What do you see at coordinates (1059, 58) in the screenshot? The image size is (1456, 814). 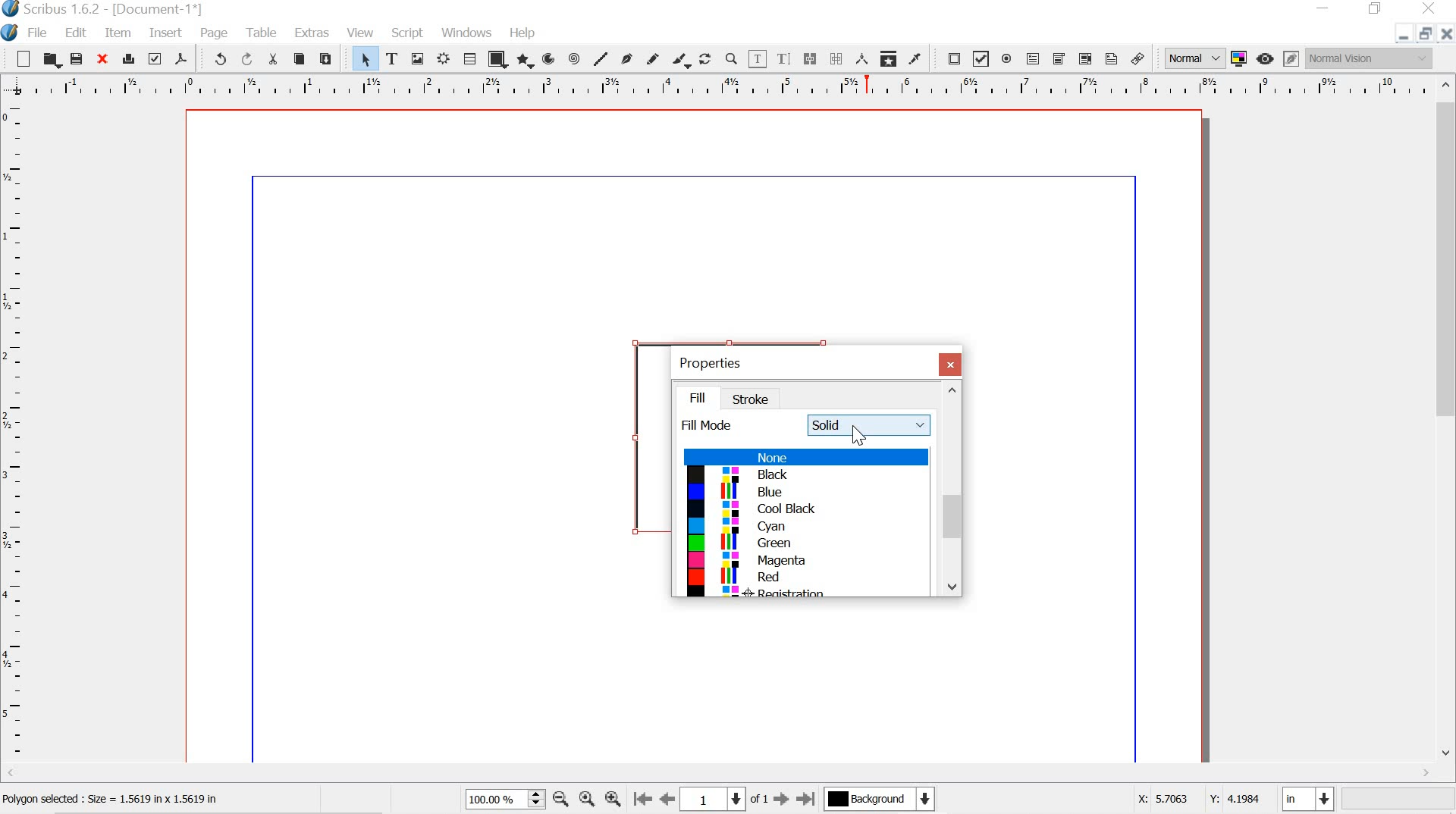 I see `pdf combo box` at bounding box center [1059, 58].